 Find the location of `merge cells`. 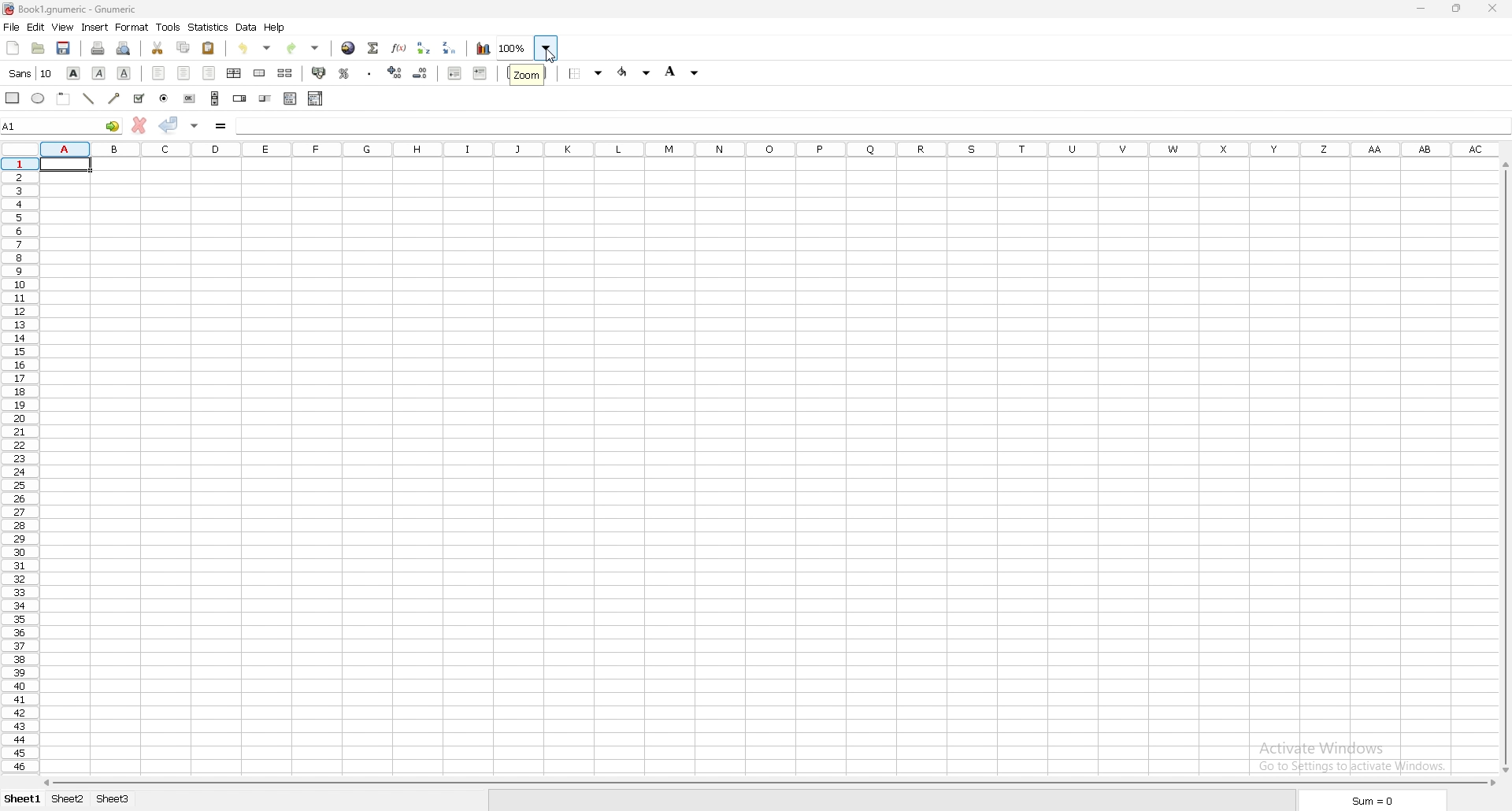

merge cells is located at coordinates (259, 73).